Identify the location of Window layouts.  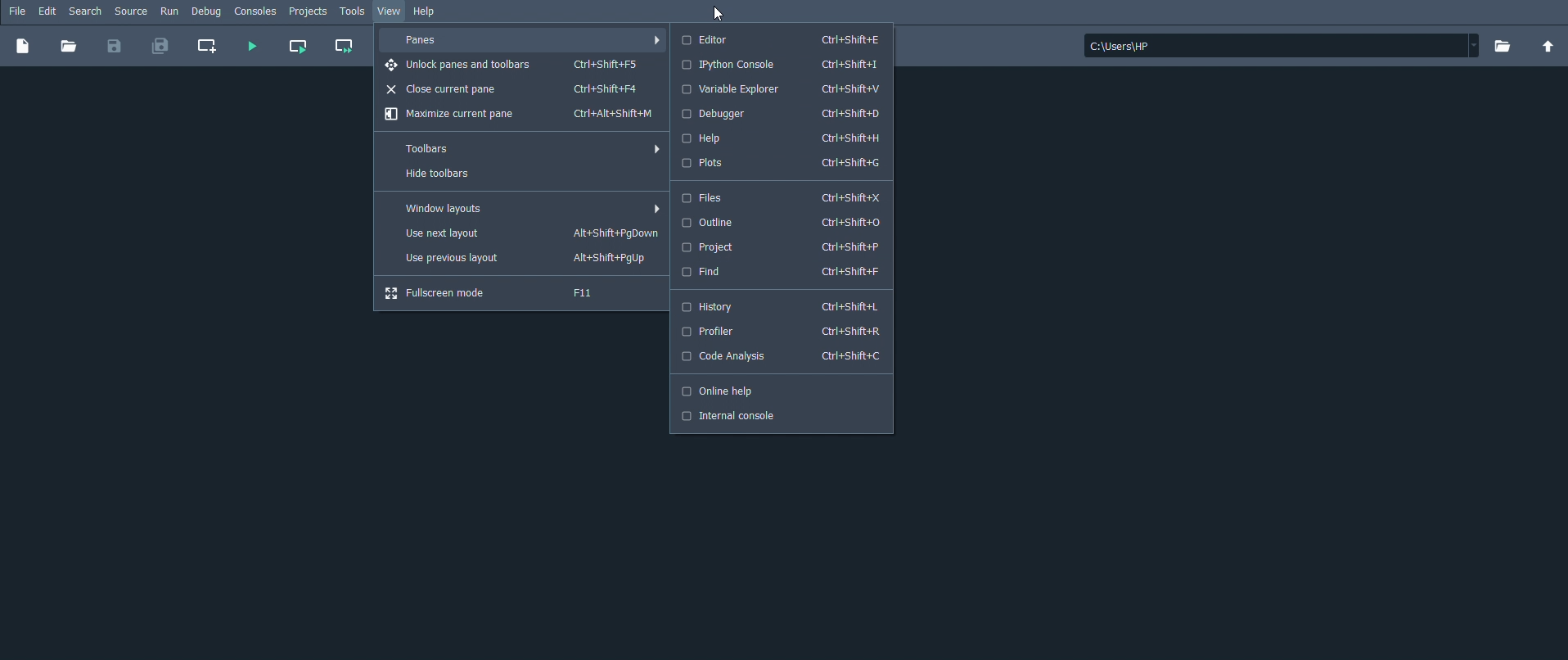
(522, 209).